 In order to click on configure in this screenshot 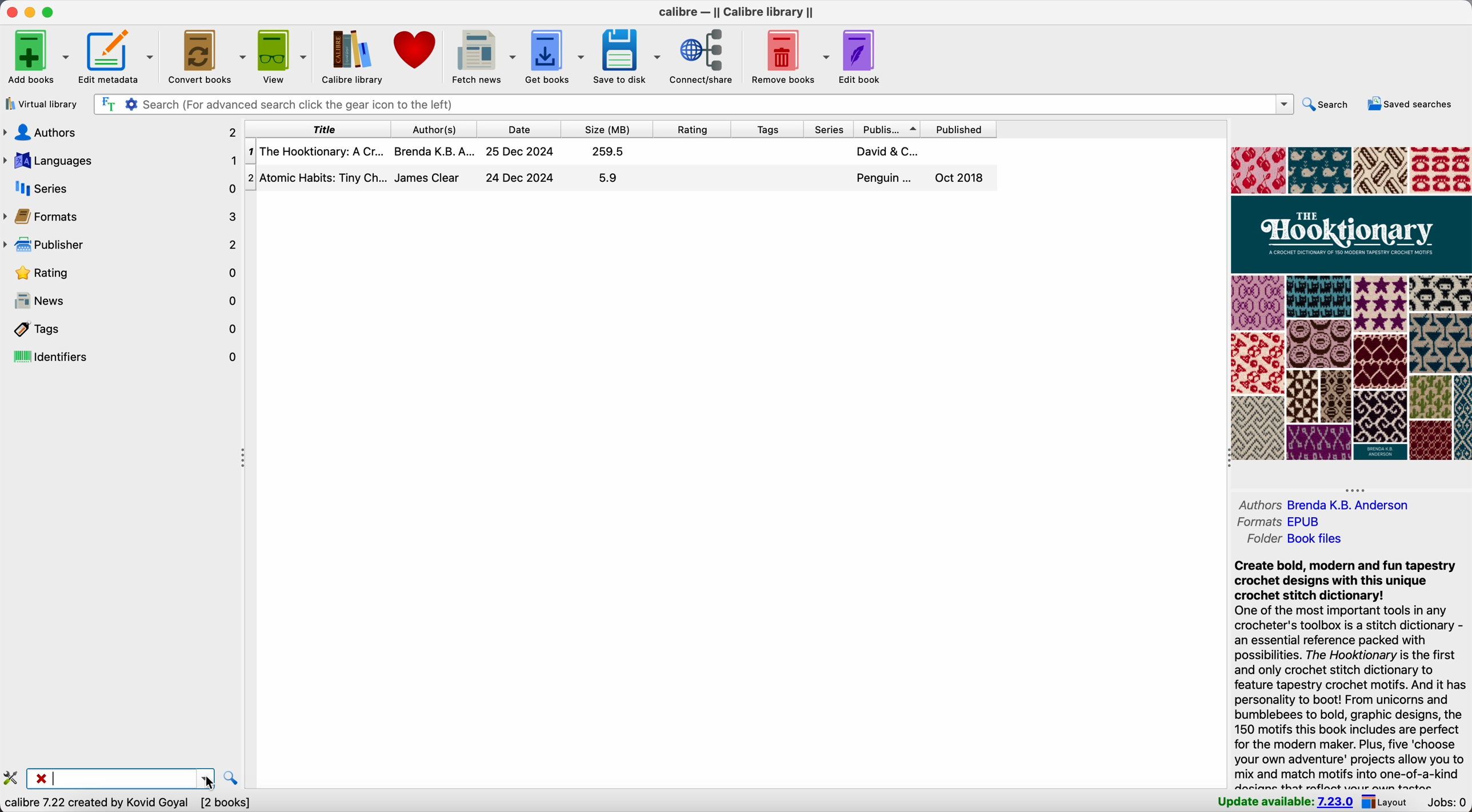, I will do `click(12, 778)`.